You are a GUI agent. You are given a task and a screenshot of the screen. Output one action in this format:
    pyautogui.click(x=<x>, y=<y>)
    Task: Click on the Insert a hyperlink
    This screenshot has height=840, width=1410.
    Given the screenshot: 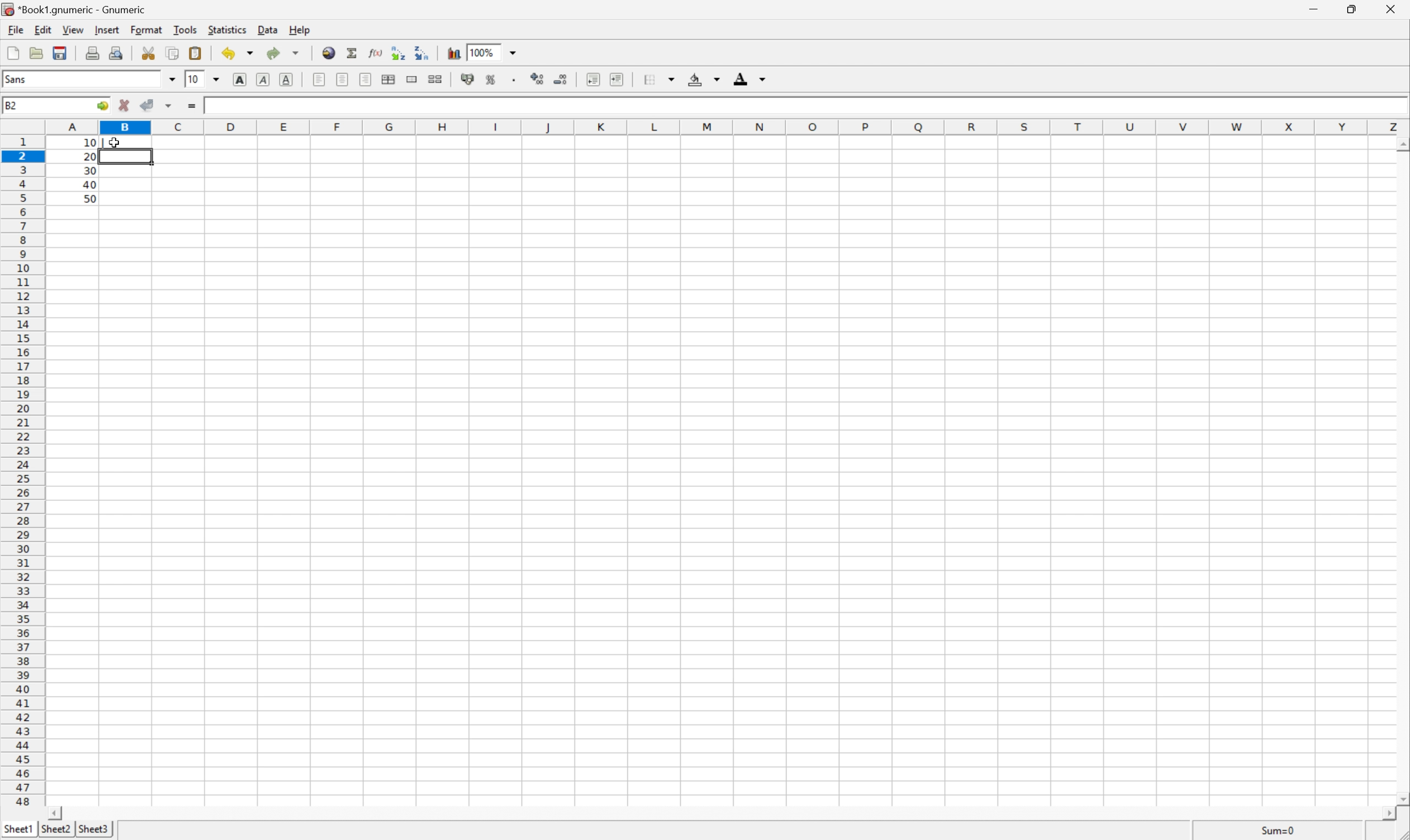 What is the action you would take?
    pyautogui.click(x=330, y=53)
    